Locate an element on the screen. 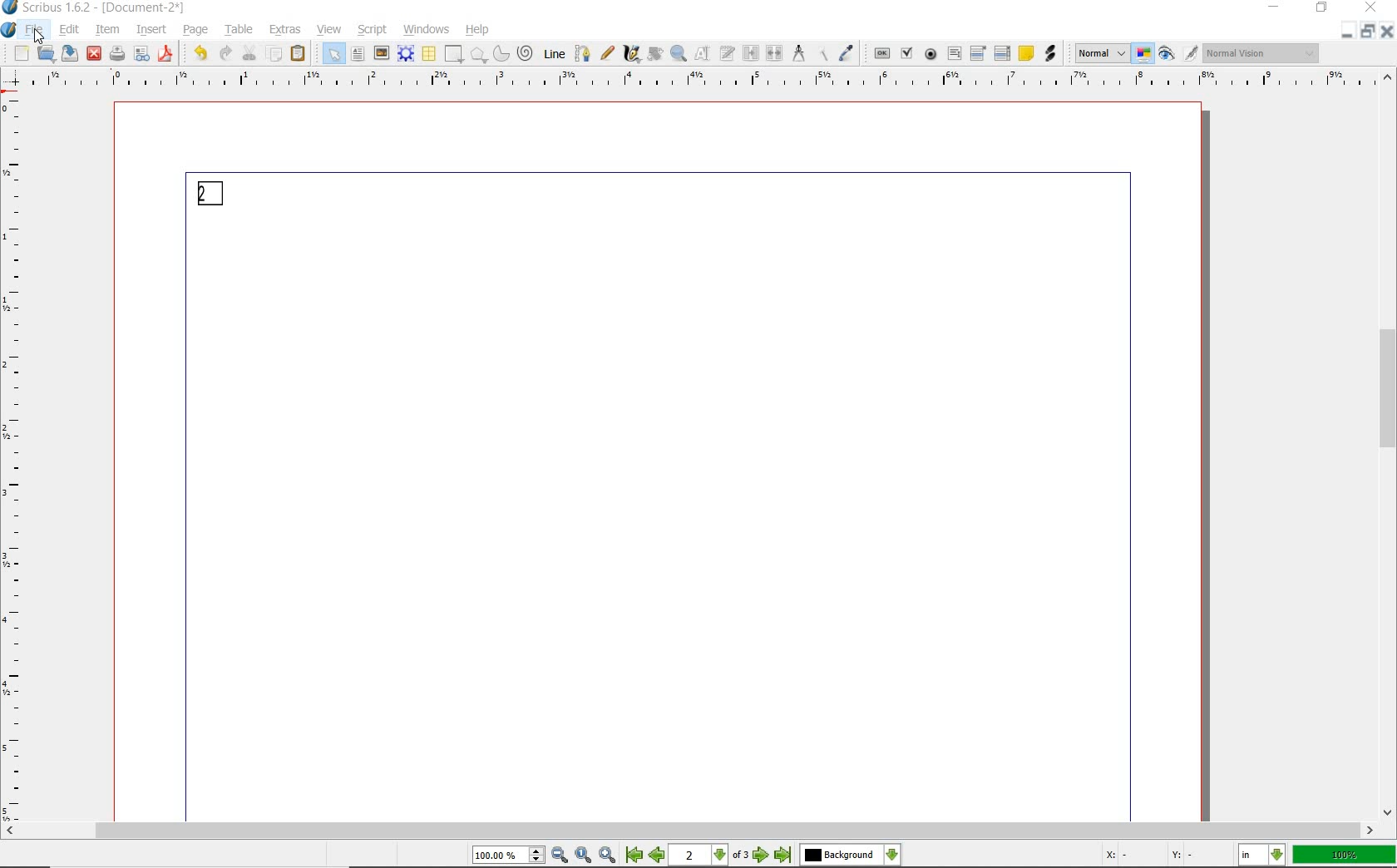  open is located at coordinates (47, 55).